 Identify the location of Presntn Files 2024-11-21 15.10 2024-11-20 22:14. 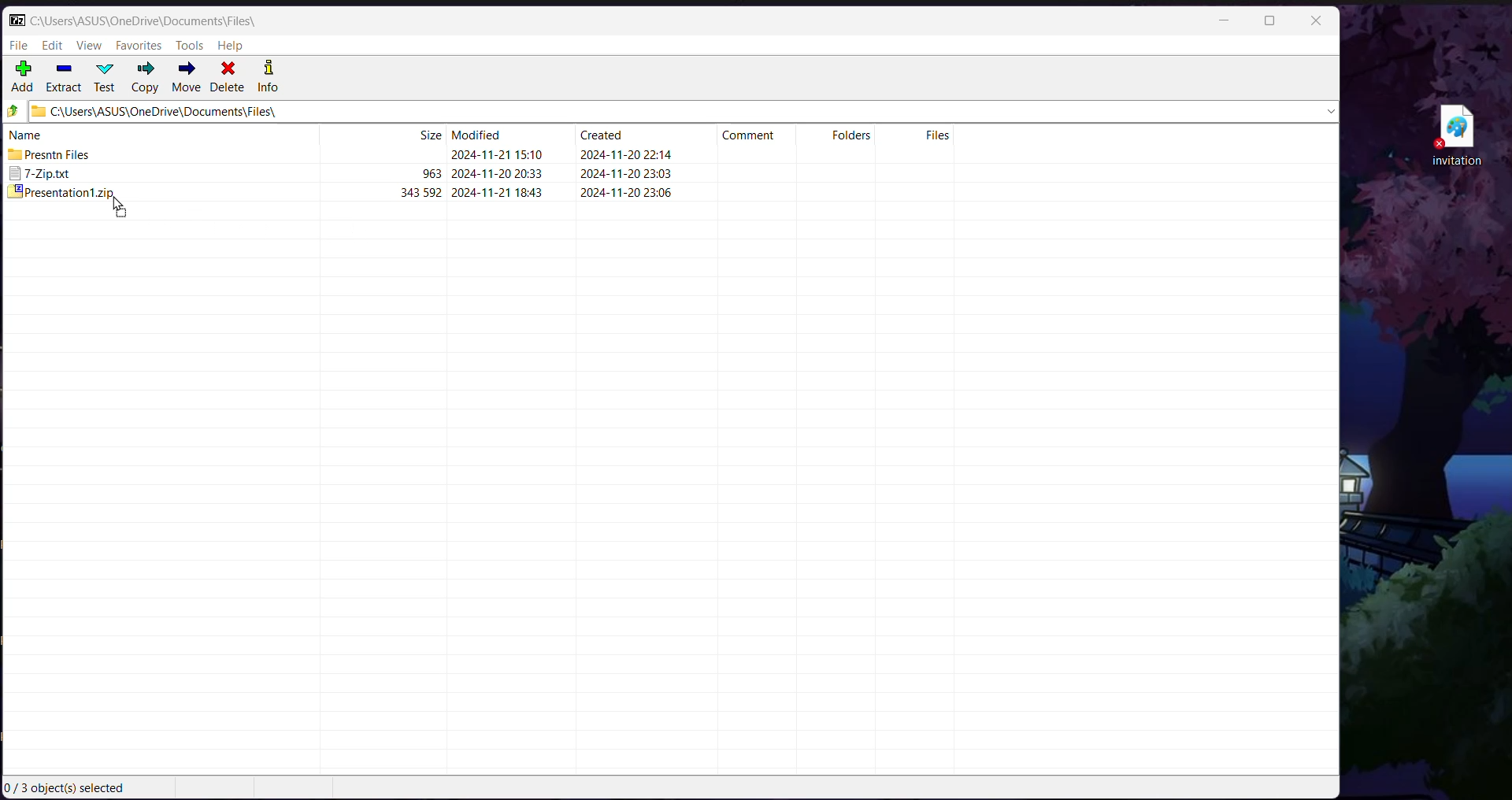
(338, 154).